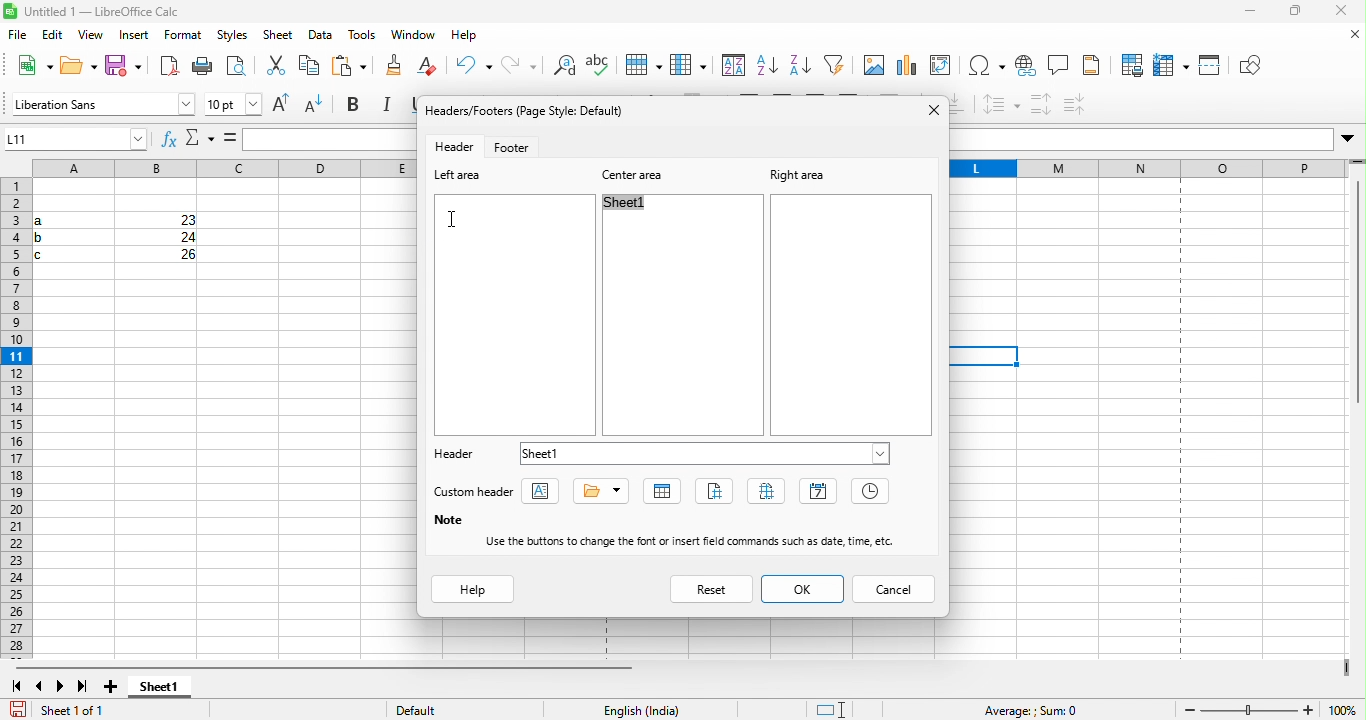 This screenshot has width=1366, height=720. I want to click on cut, so click(240, 68).